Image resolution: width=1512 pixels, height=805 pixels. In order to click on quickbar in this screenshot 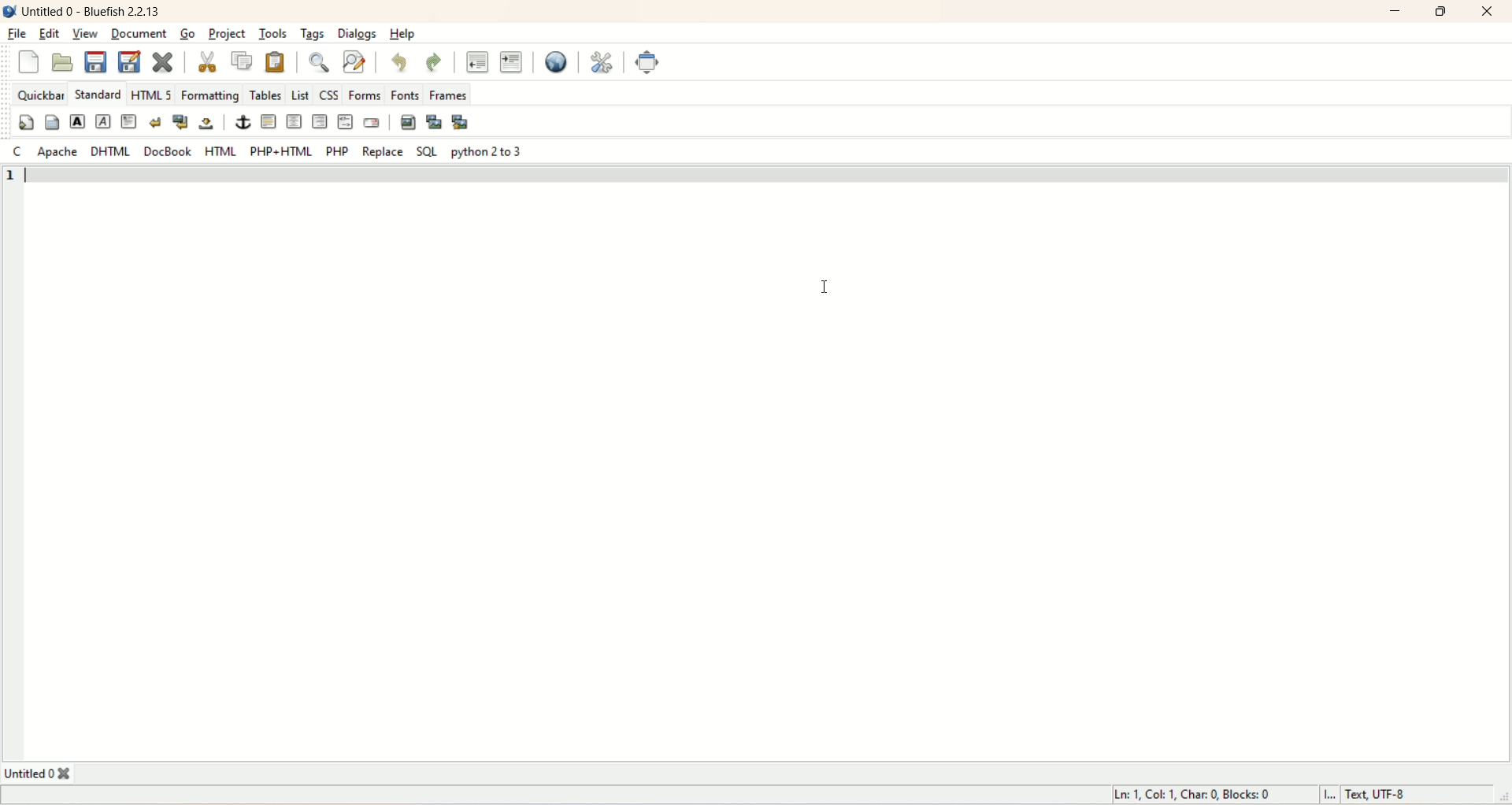, I will do `click(39, 96)`.